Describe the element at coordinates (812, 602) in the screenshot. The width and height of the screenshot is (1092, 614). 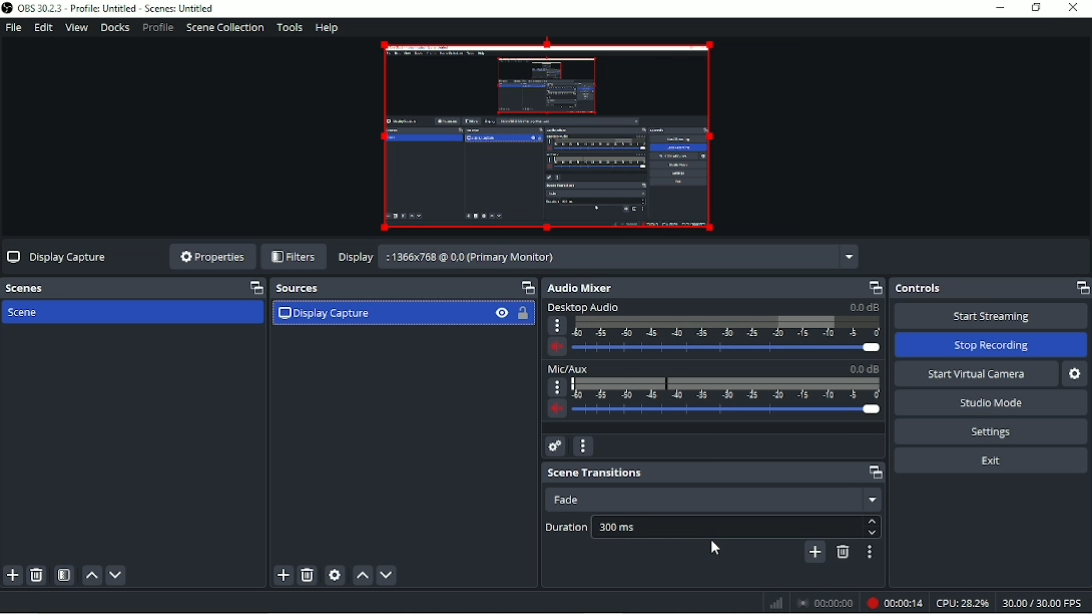
I see `` at that location.